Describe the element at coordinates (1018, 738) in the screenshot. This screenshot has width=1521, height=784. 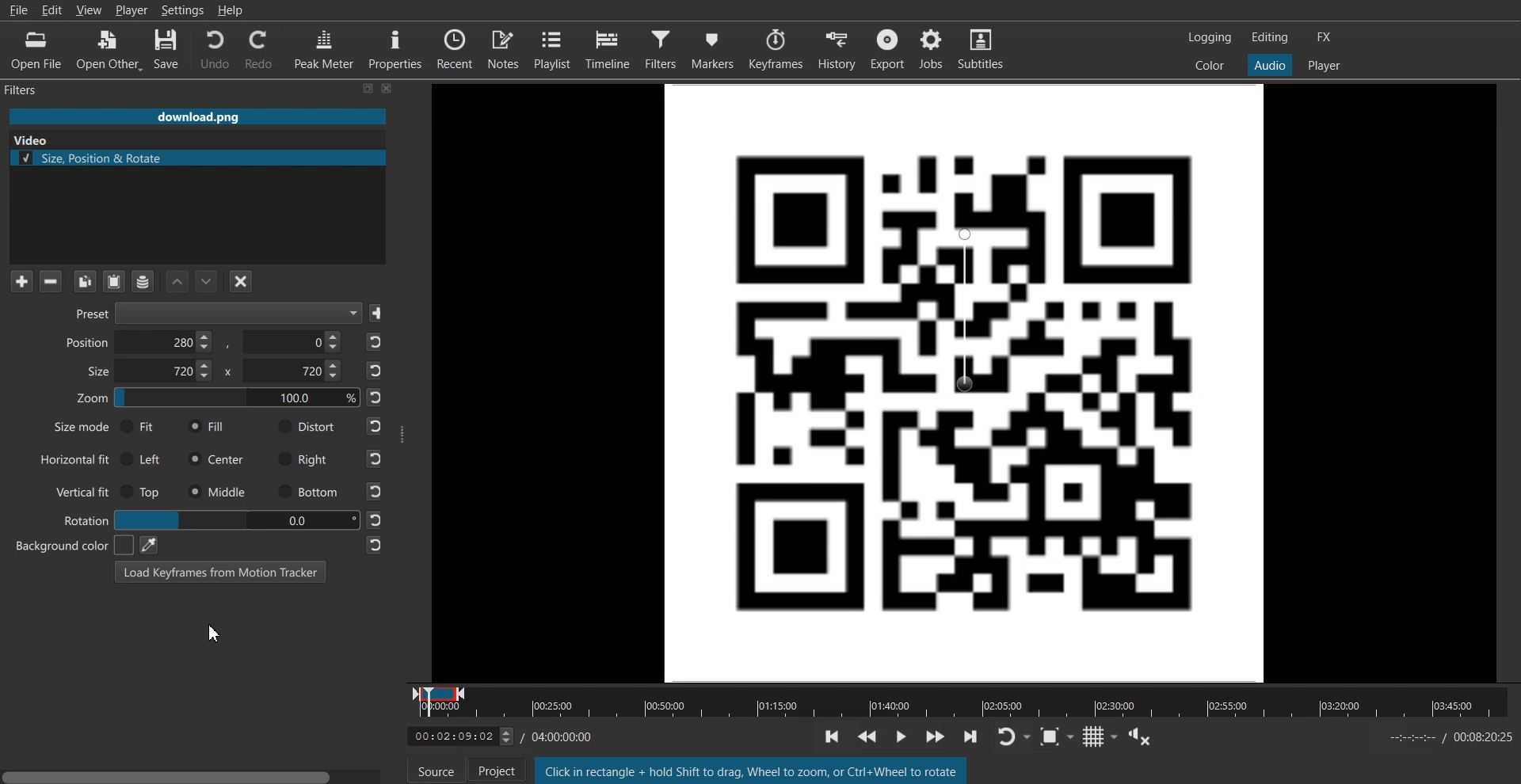
I see `Toggle player lopping` at that location.